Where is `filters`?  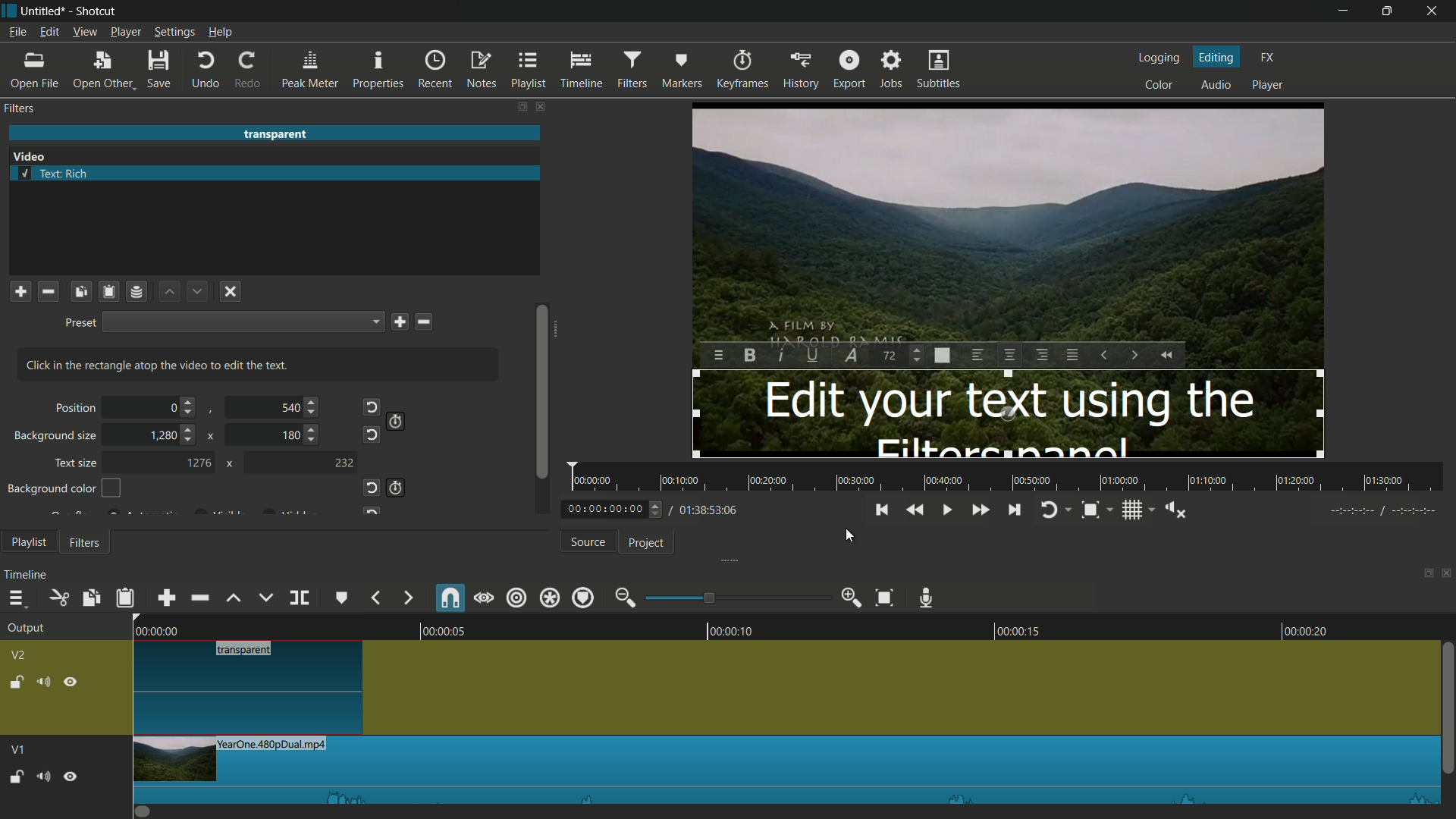 filters is located at coordinates (21, 109).